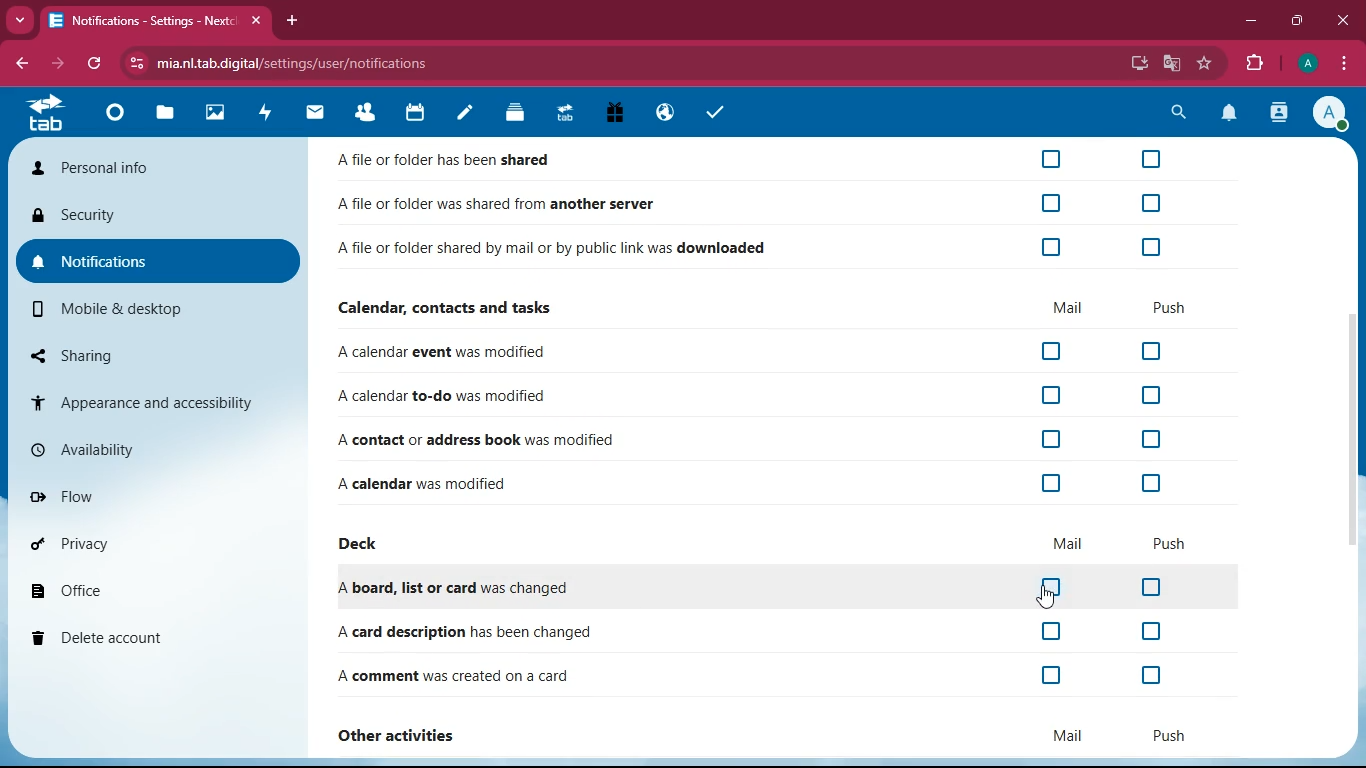  I want to click on Calendar, contacts and tasks, so click(457, 304).